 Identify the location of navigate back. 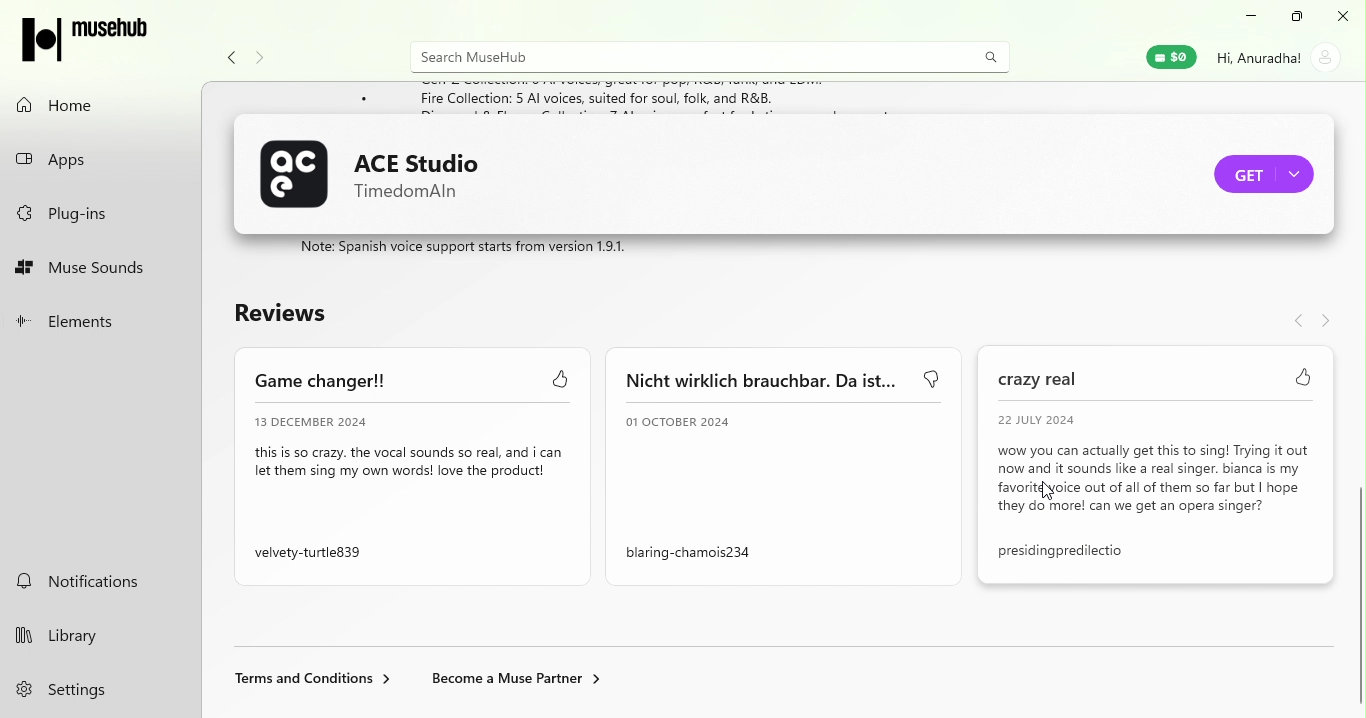
(1295, 322).